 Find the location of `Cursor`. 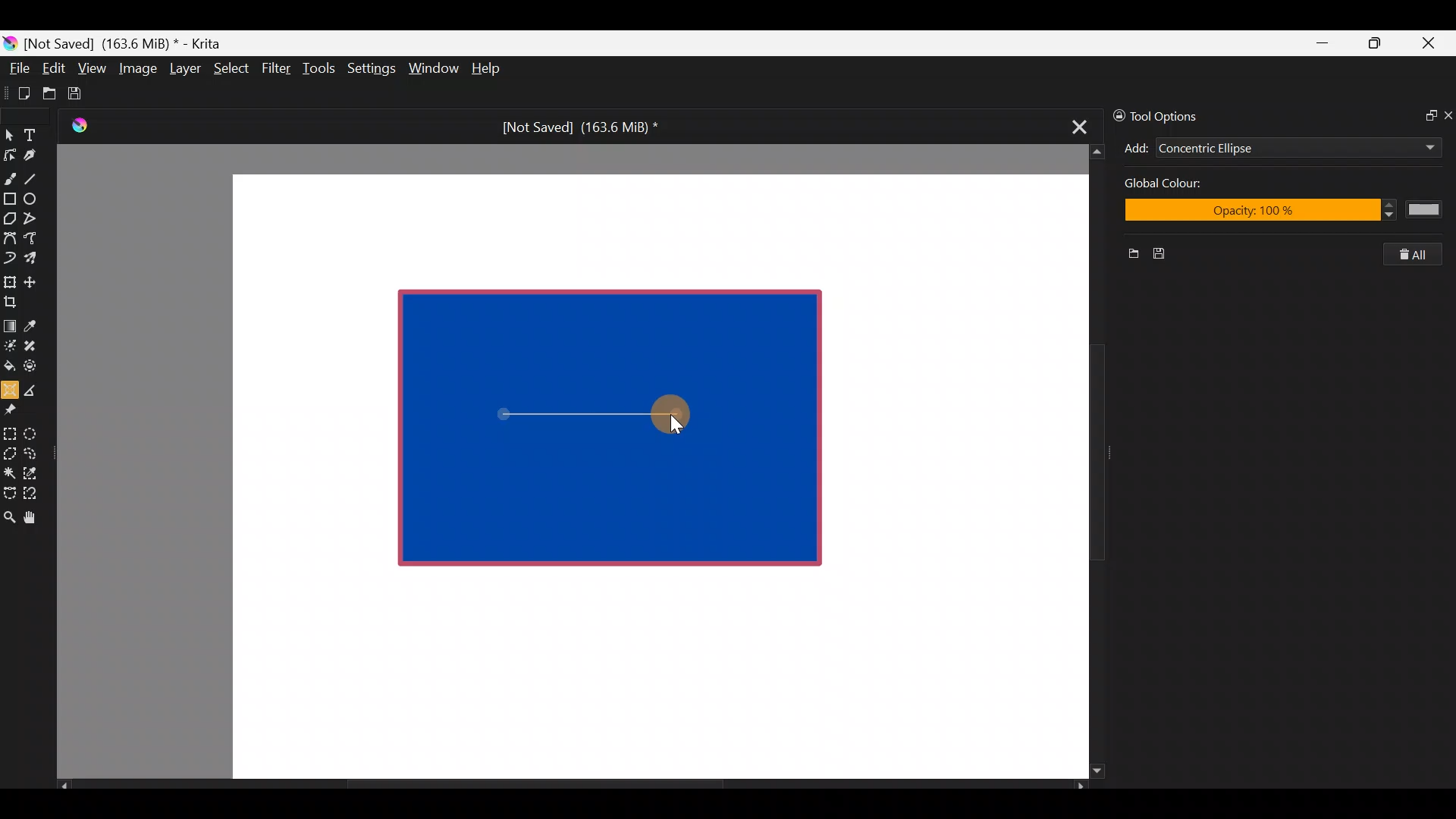

Cursor is located at coordinates (673, 411).